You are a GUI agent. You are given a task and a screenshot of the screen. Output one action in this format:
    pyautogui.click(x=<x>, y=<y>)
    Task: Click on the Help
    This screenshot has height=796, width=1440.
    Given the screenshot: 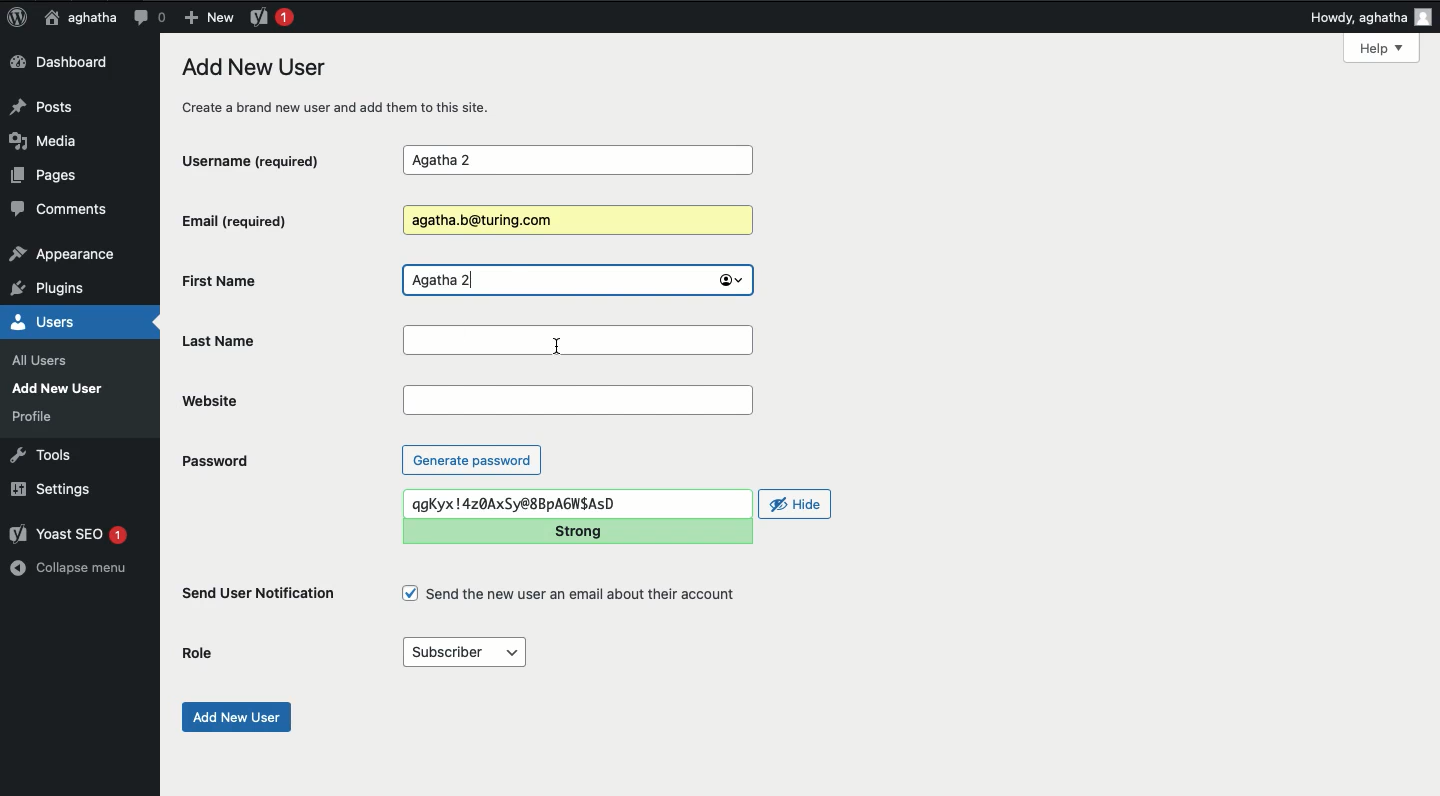 What is the action you would take?
    pyautogui.click(x=1381, y=48)
    